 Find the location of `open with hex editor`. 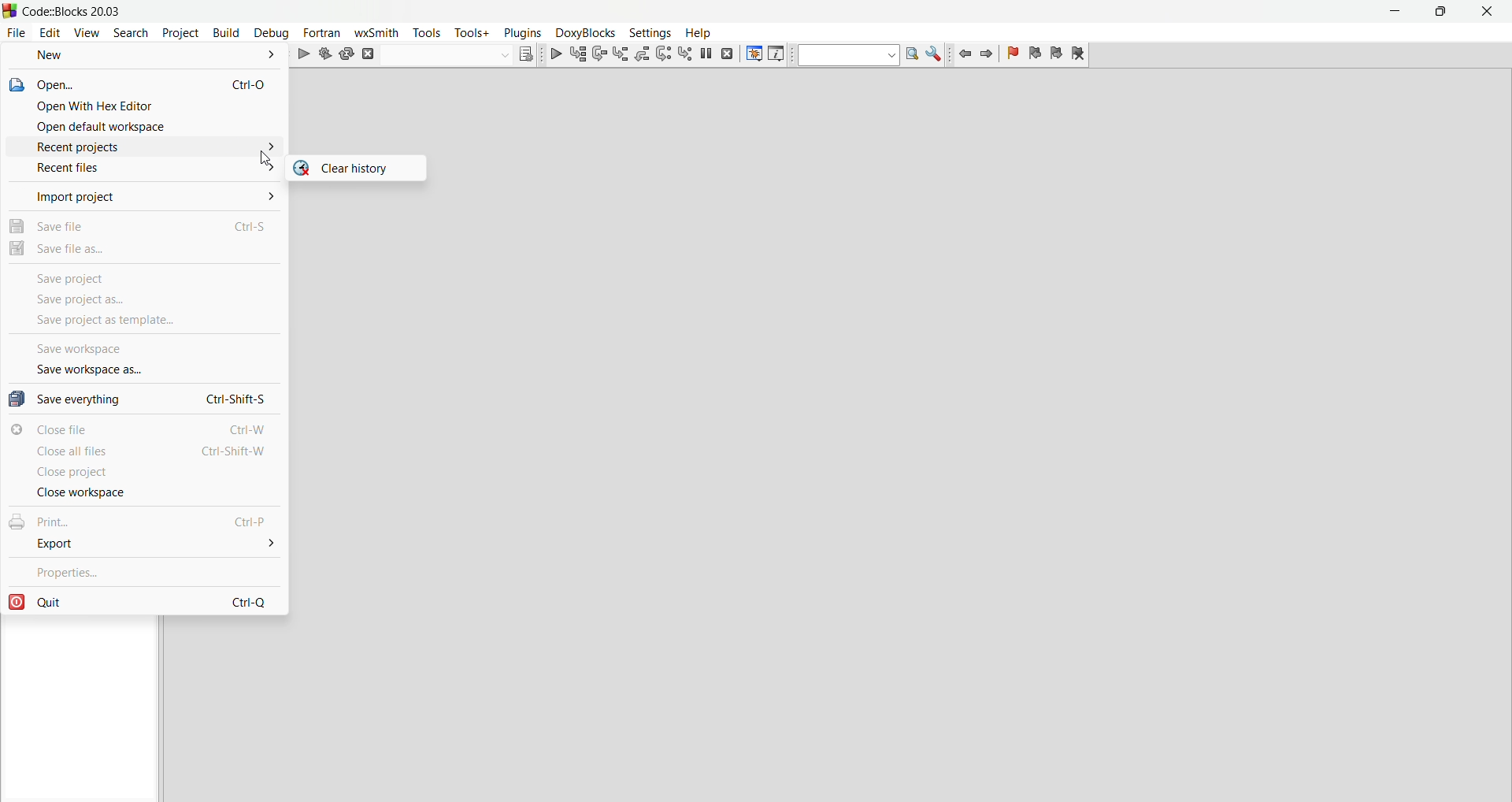

open with hex editor is located at coordinates (145, 105).